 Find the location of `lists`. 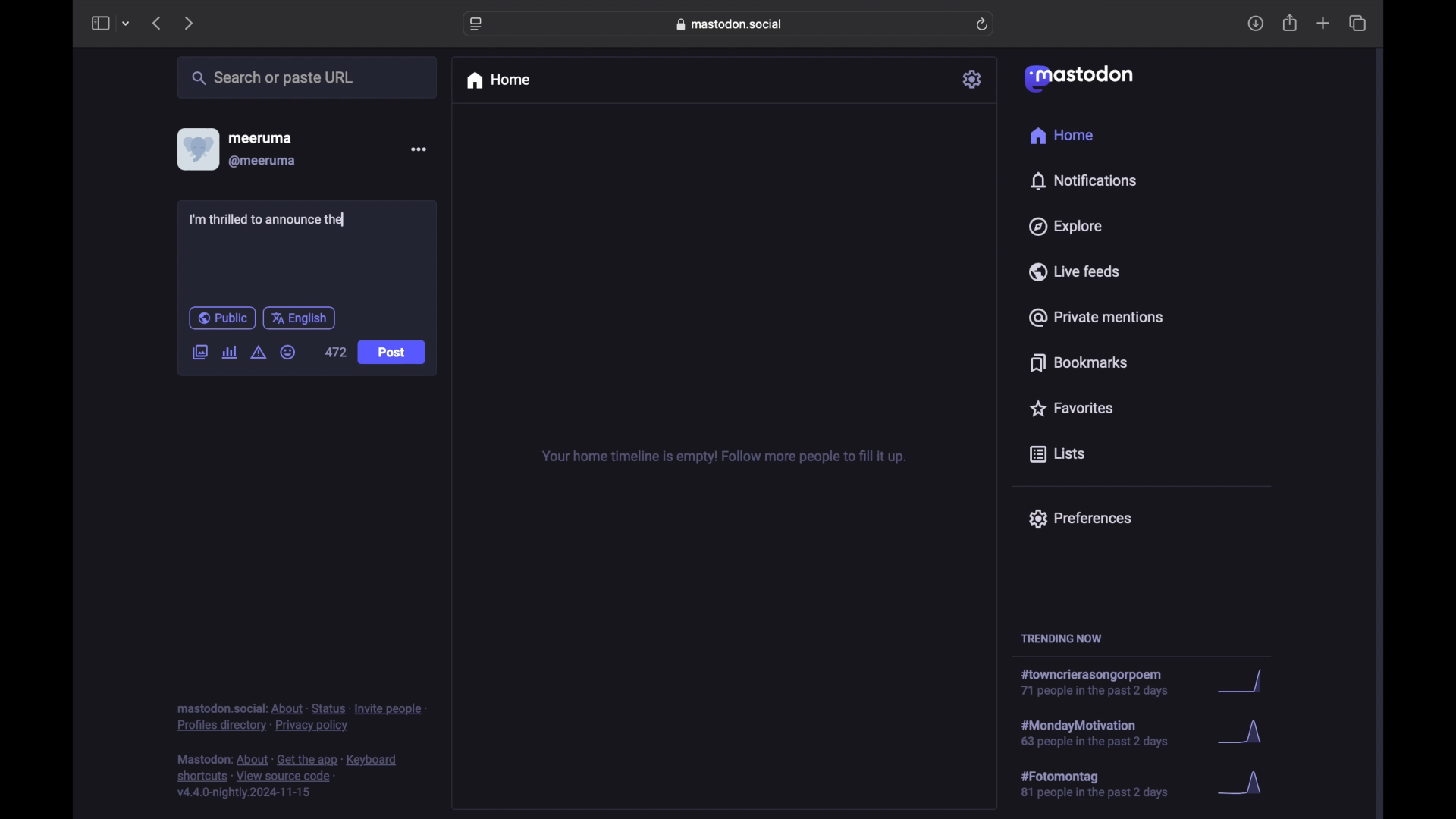

lists is located at coordinates (1057, 455).